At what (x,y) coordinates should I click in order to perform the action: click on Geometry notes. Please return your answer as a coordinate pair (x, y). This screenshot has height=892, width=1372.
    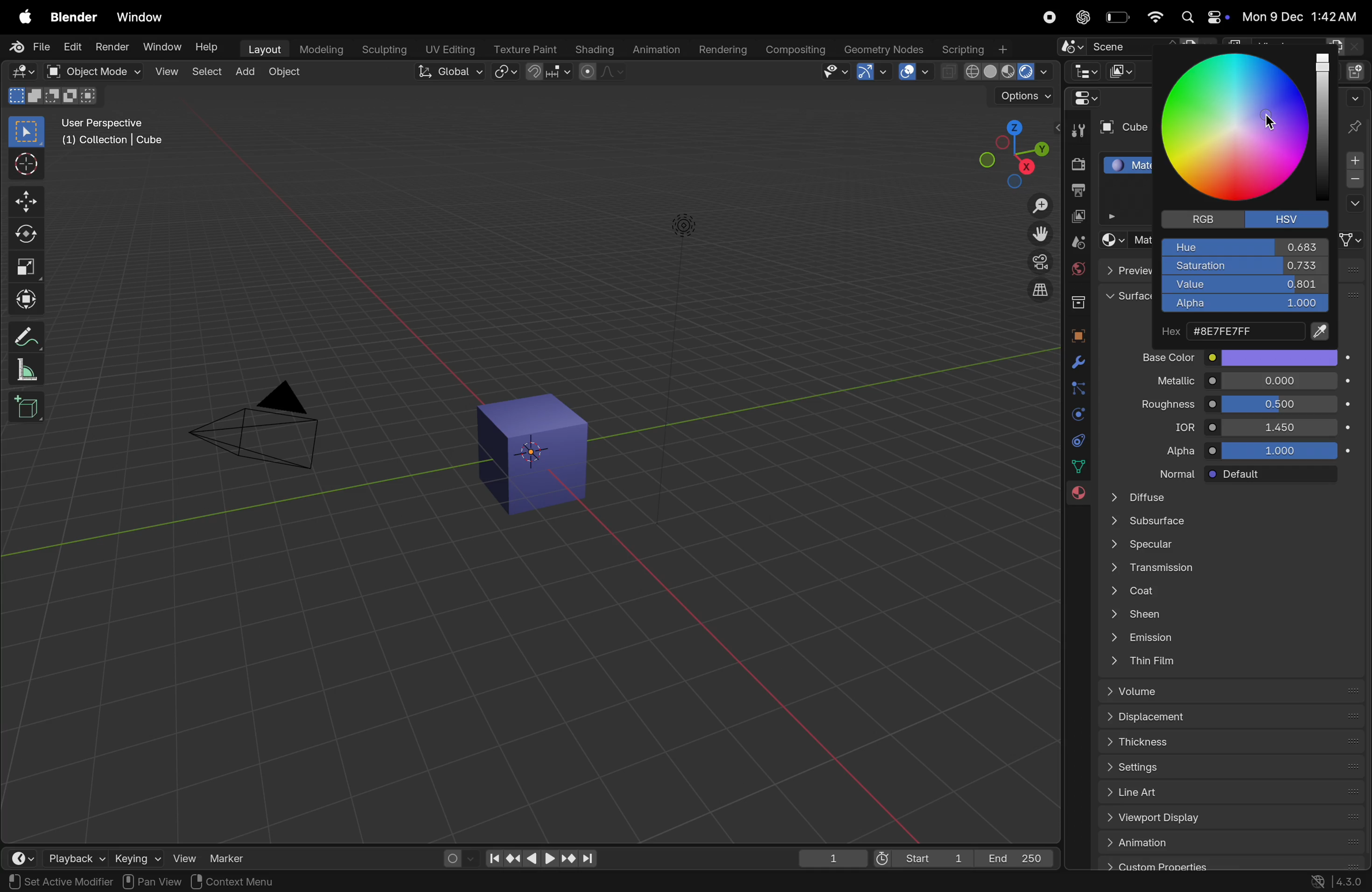
    Looking at the image, I should click on (884, 48).